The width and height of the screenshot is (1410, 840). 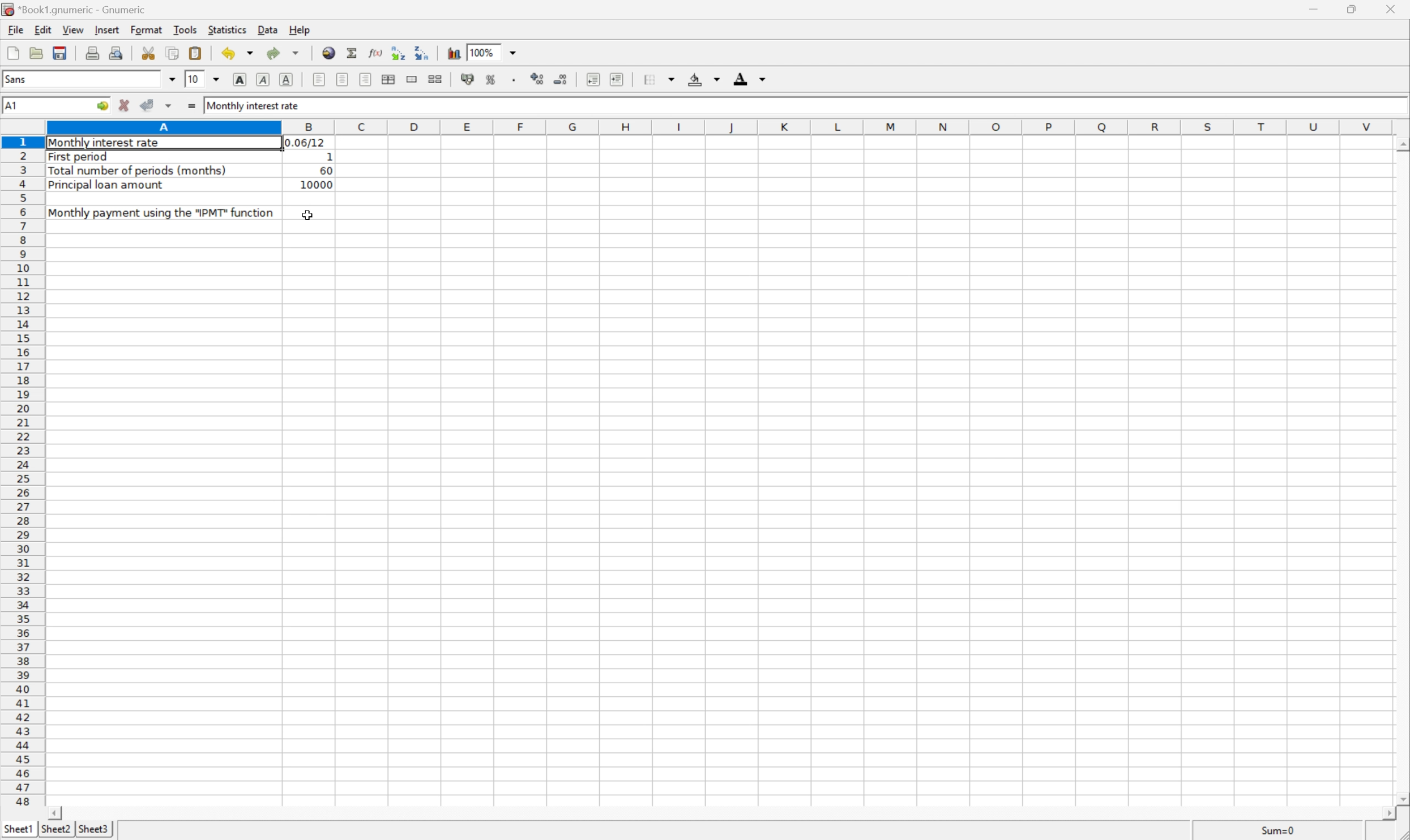 What do you see at coordinates (366, 79) in the screenshot?
I see `Align Right` at bounding box center [366, 79].